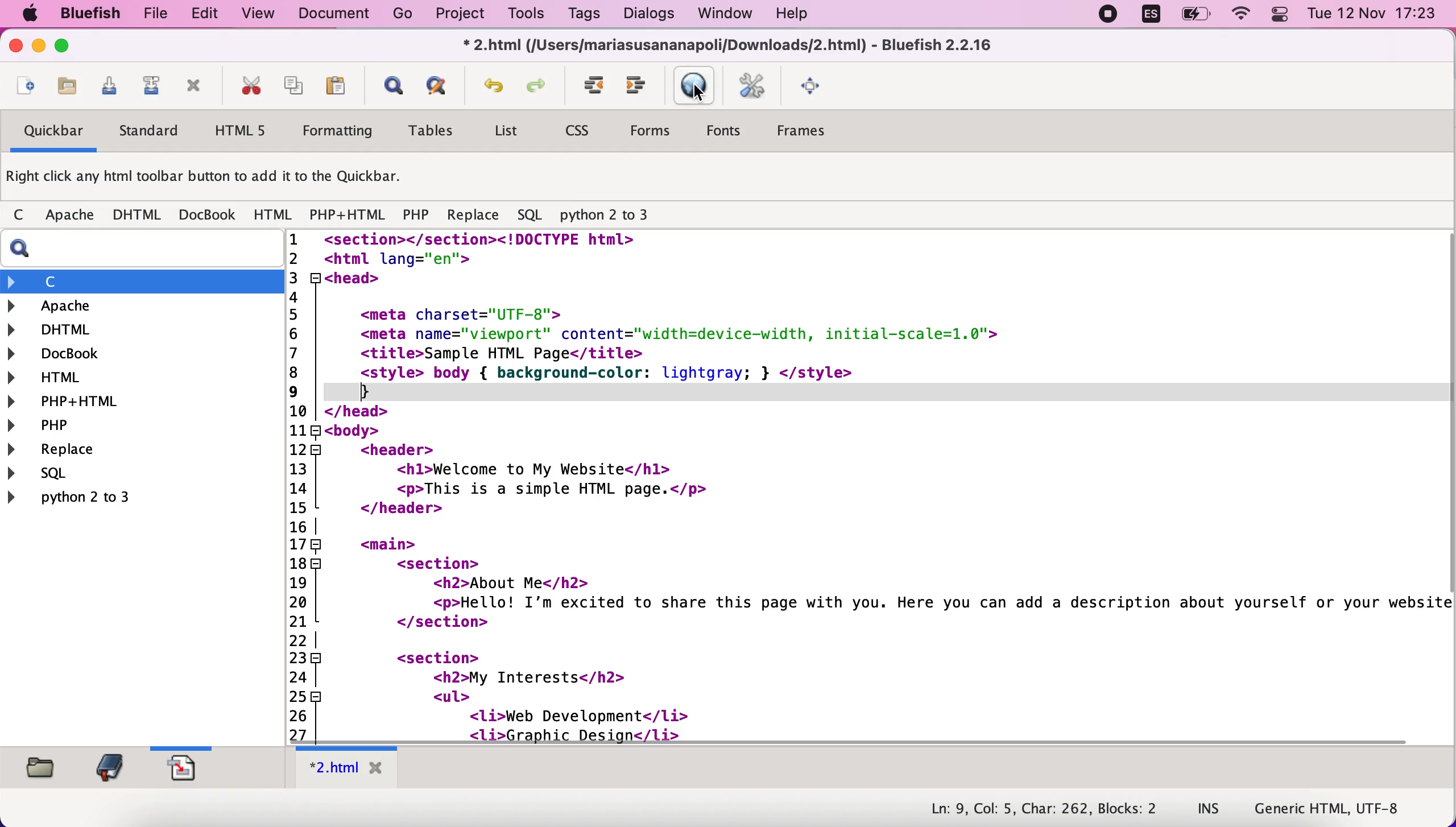 The height and width of the screenshot is (827, 1456). What do you see at coordinates (437, 131) in the screenshot?
I see `tables` at bounding box center [437, 131].